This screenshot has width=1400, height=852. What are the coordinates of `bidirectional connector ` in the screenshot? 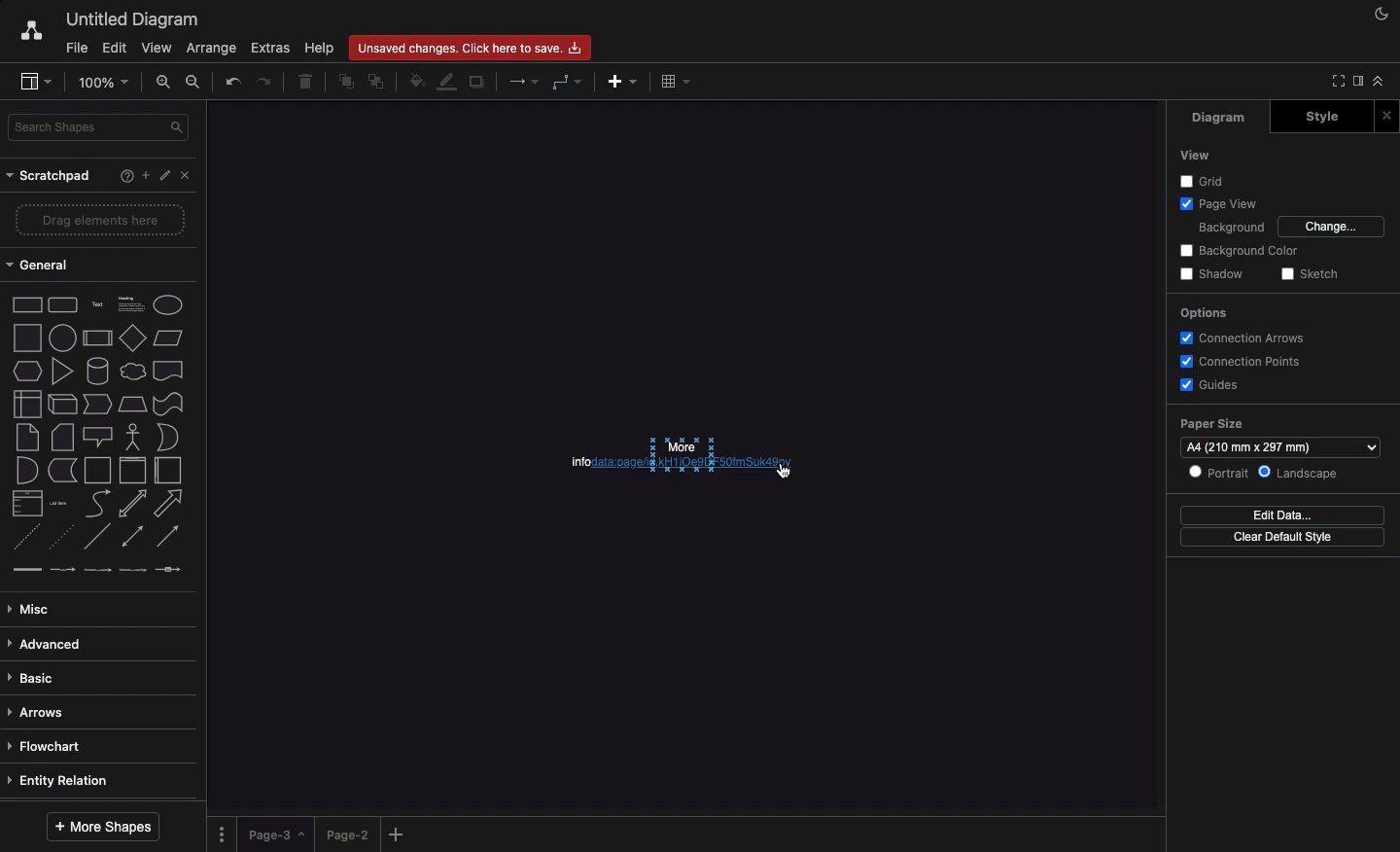 It's located at (131, 536).